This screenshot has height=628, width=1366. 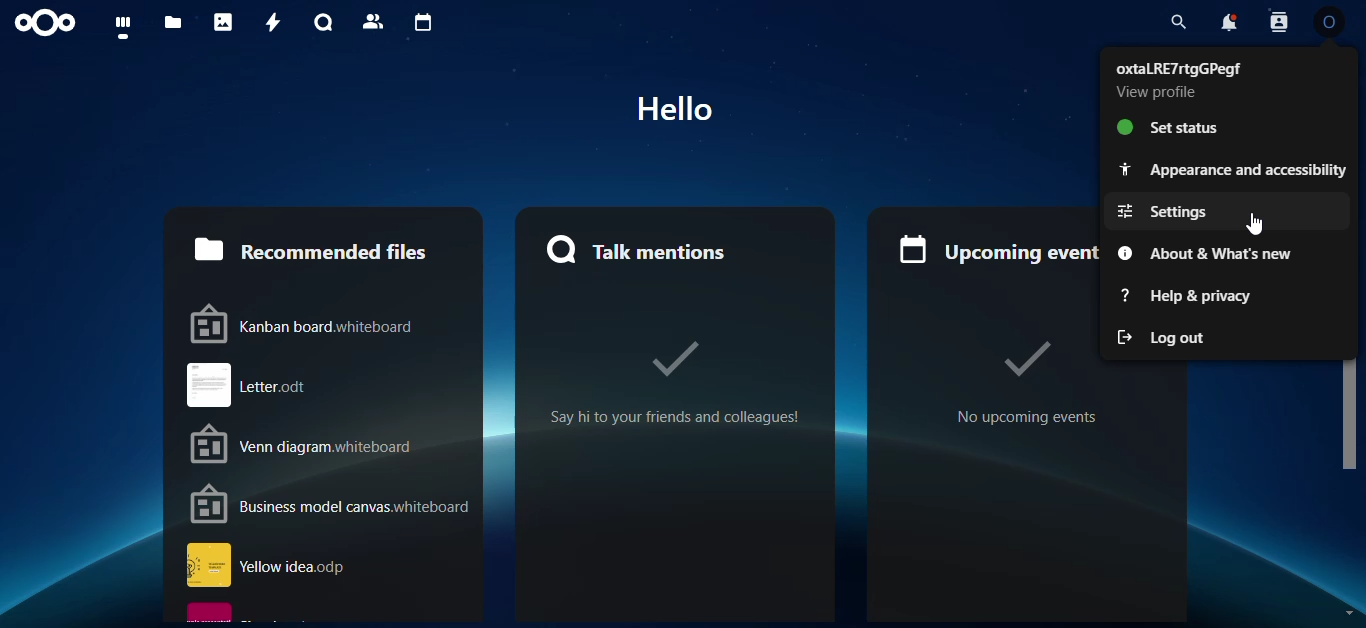 What do you see at coordinates (674, 417) in the screenshot?
I see `Say hi to your friends and colleagues!` at bounding box center [674, 417].